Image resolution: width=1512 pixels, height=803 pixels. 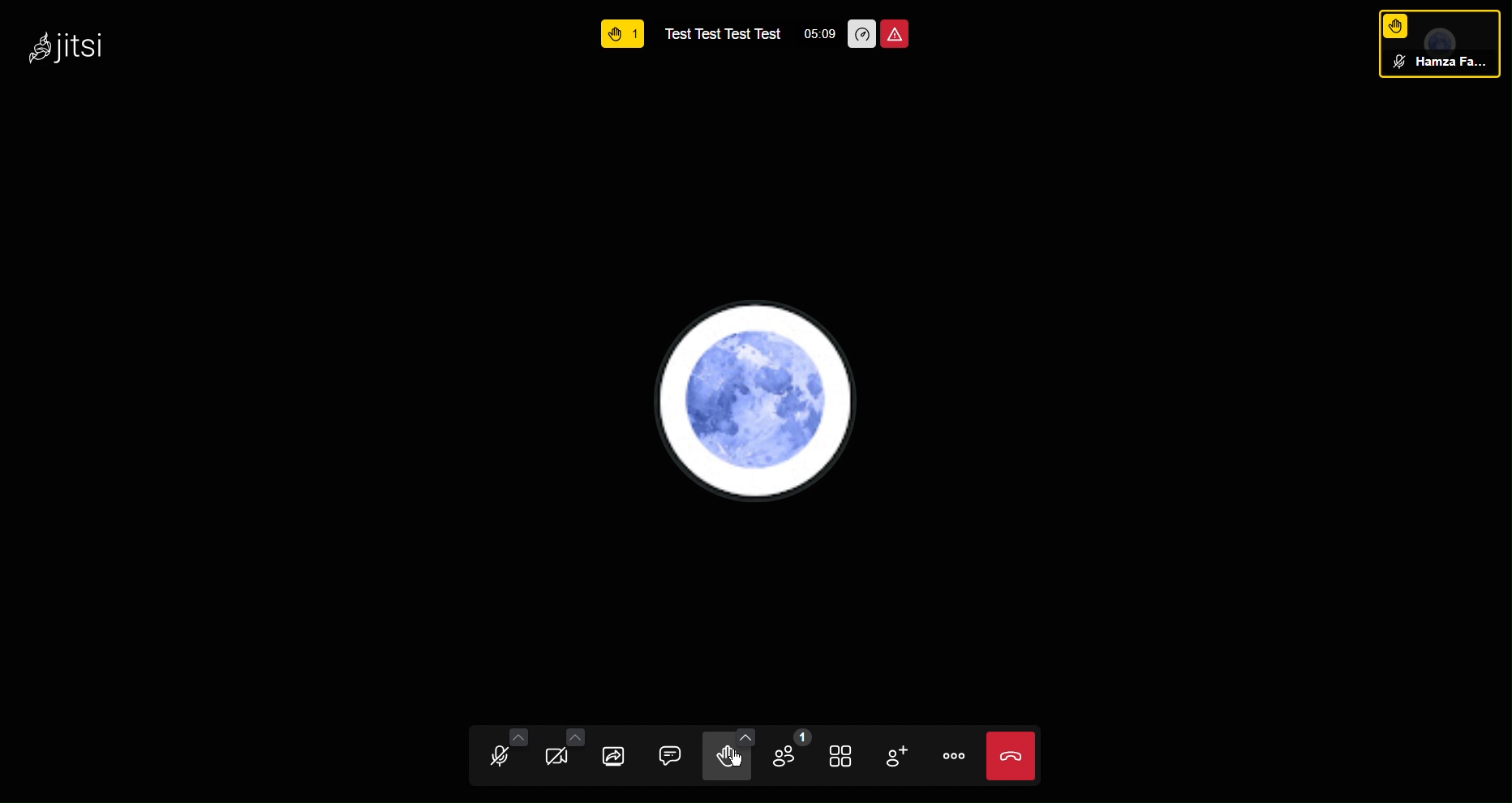 I want to click on Performance Settings, so click(x=863, y=33).